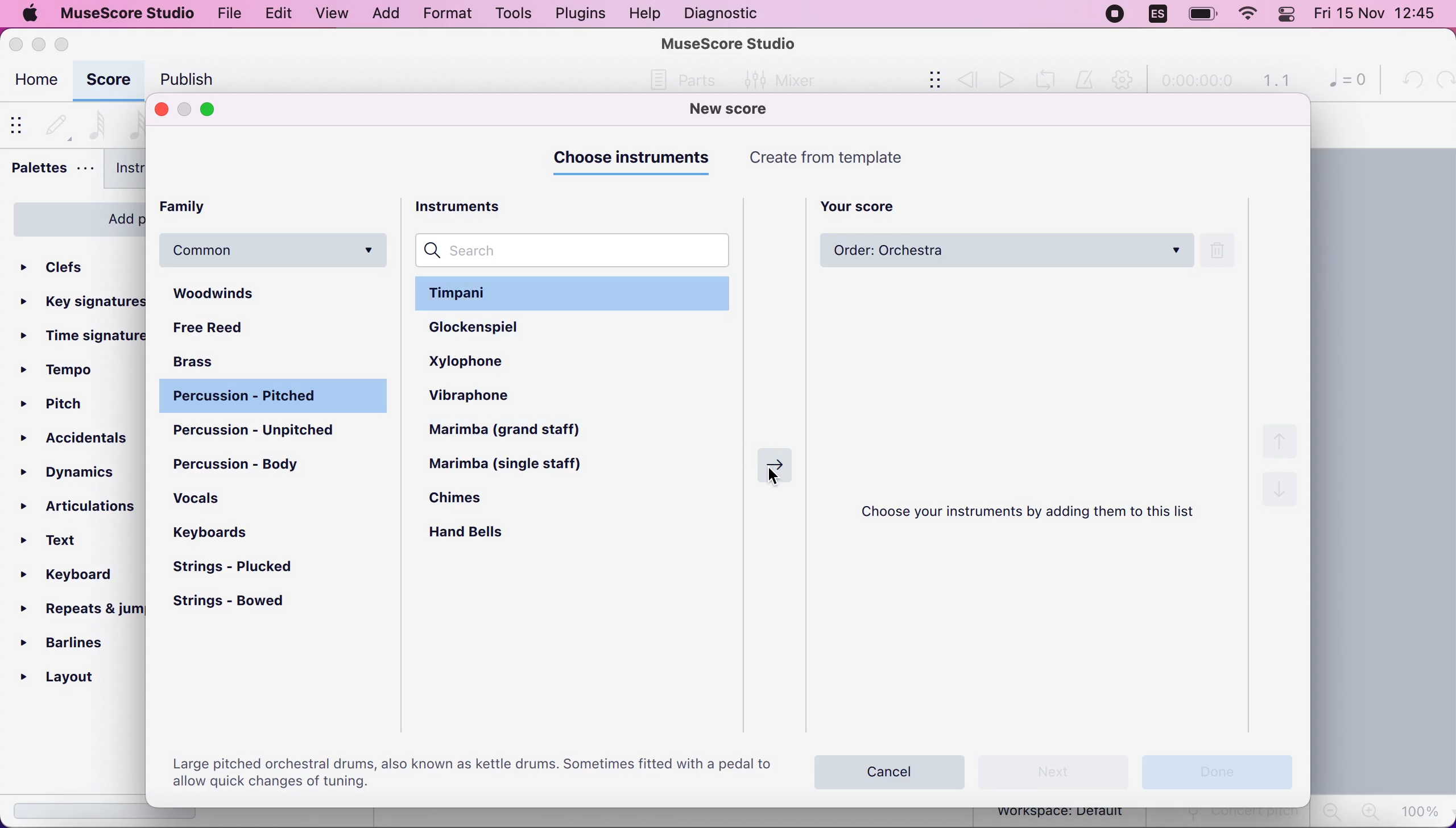 This screenshot has height=828, width=1456. What do you see at coordinates (78, 470) in the screenshot?
I see `dynamics` at bounding box center [78, 470].